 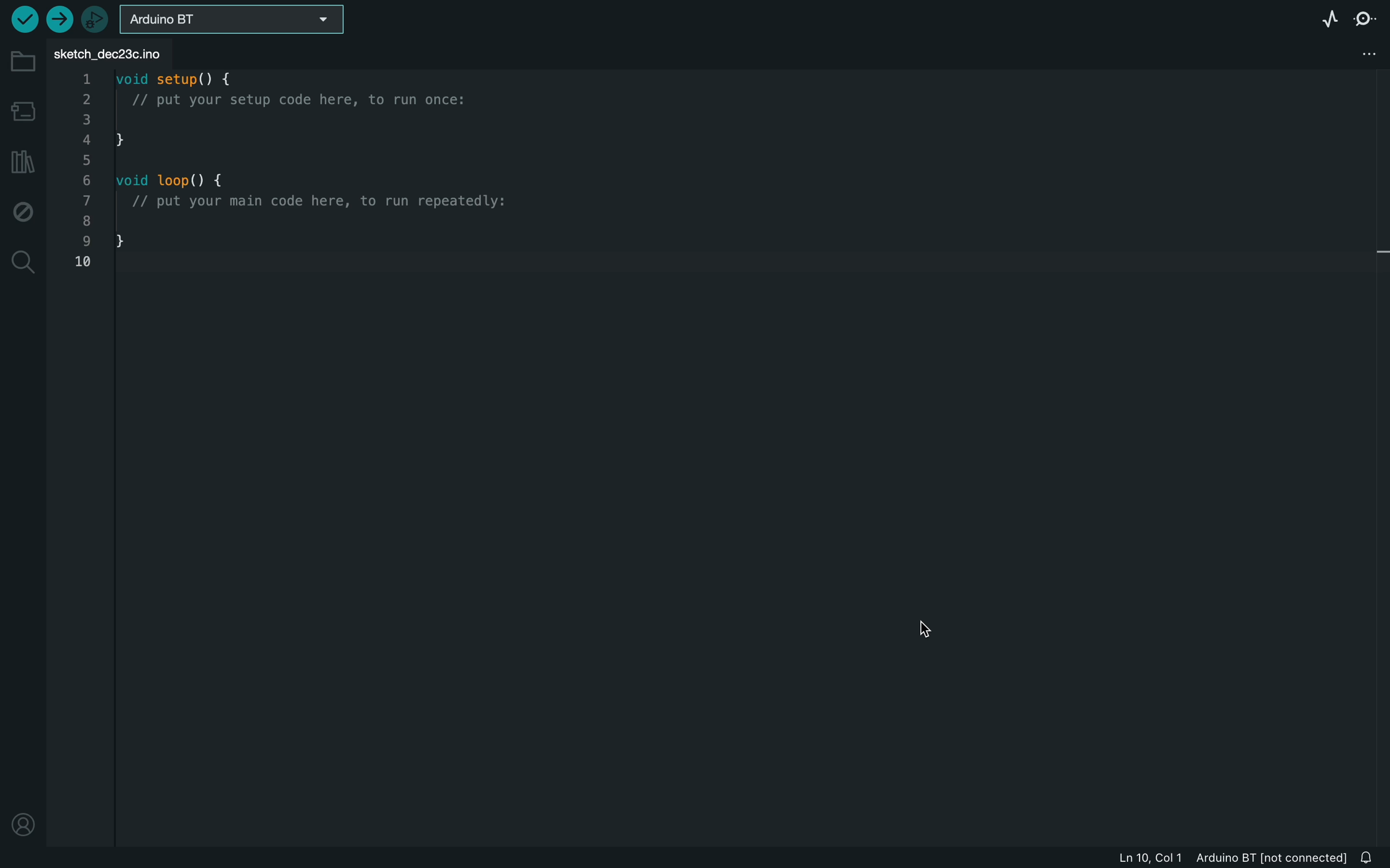 What do you see at coordinates (23, 21) in the screenshot?
I see `verify` at bounding box center [23, 21].